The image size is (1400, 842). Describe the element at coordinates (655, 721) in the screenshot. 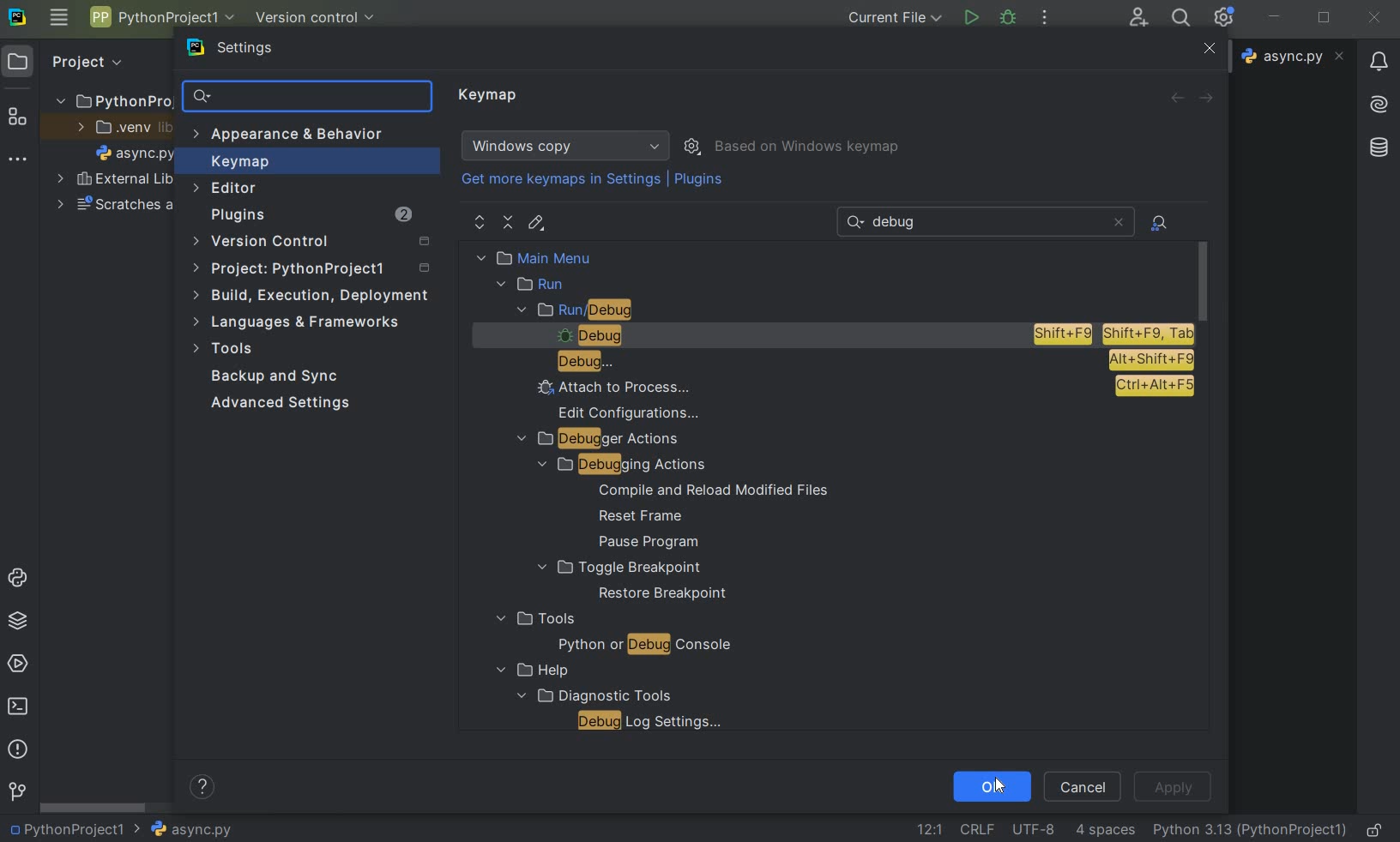

I see `debug log settings` at that location.